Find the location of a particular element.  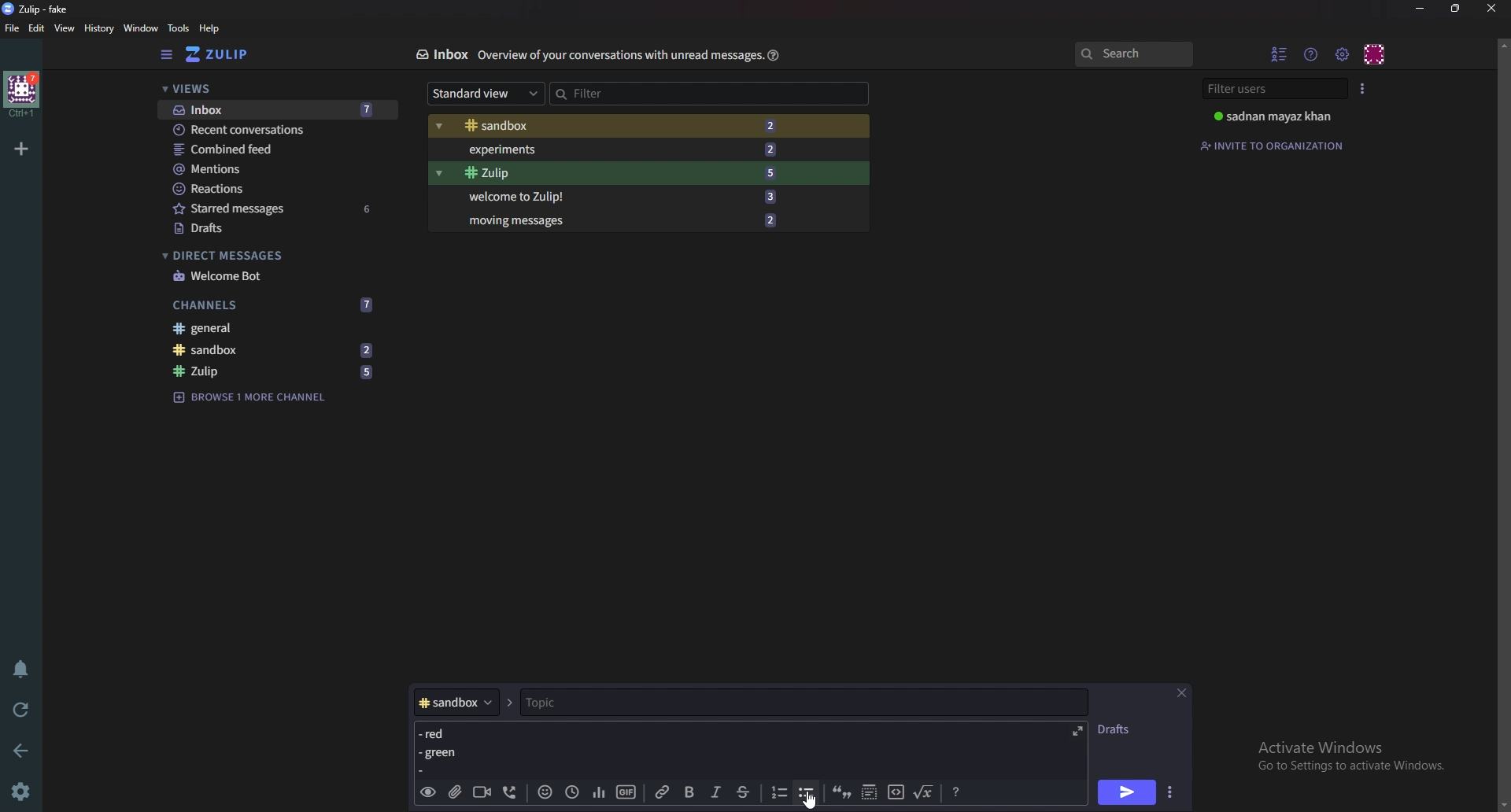

Info is located at coordinates (620, 54).